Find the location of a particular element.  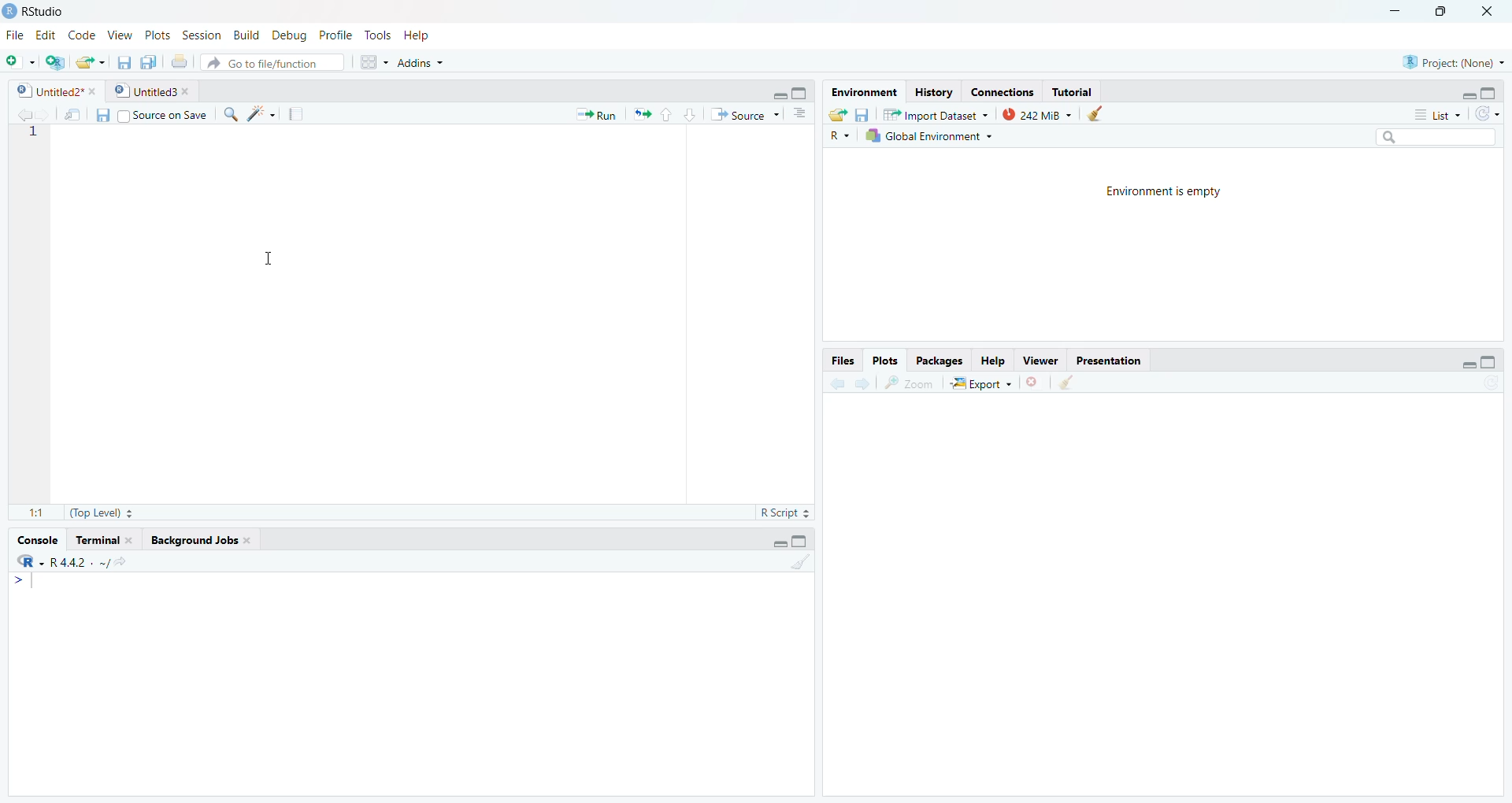

Background Jobs is located at coordinates (201, 540).